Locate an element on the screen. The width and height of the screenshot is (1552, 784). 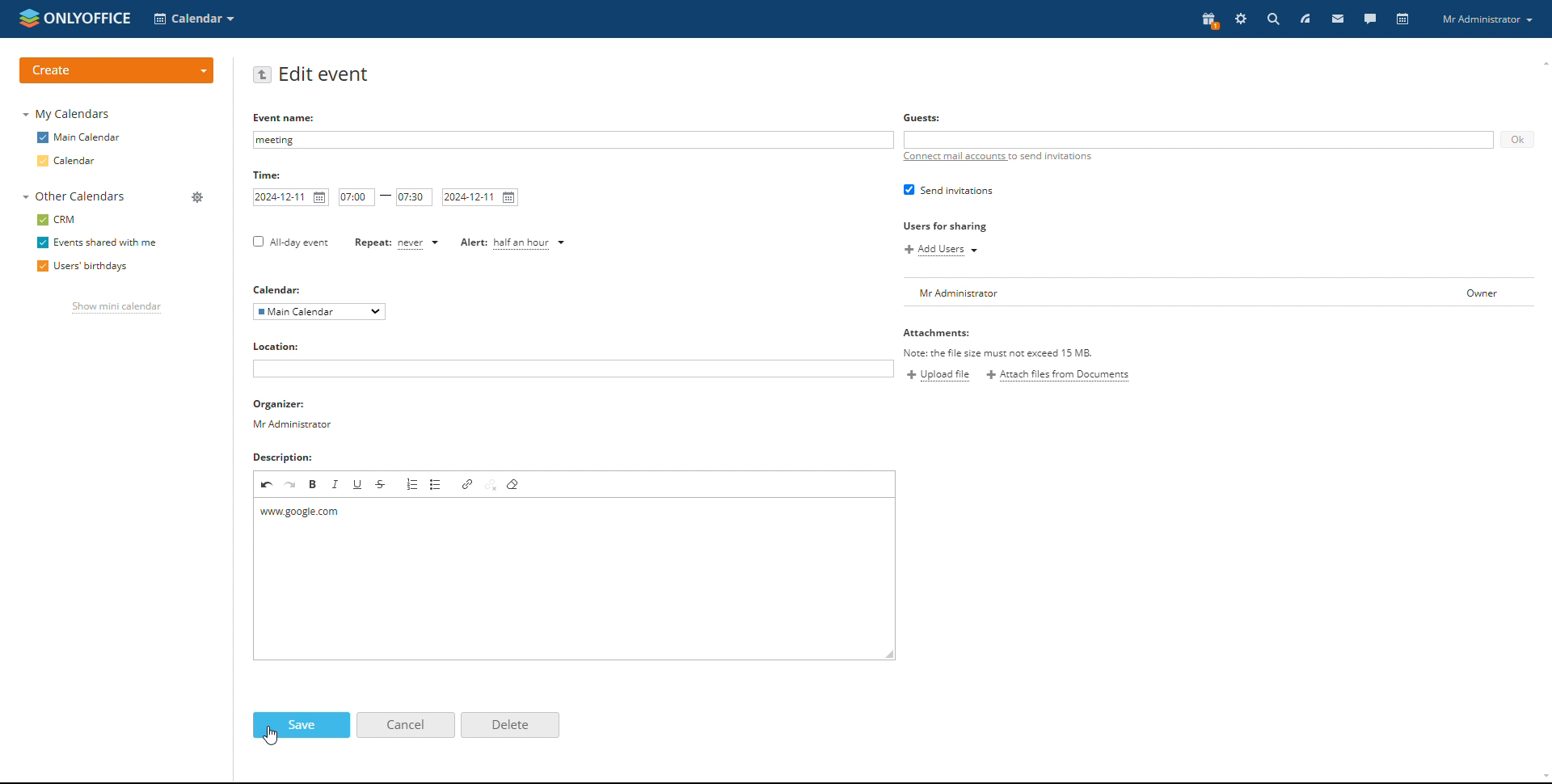
set repetition is located at coordinates (420, 243).